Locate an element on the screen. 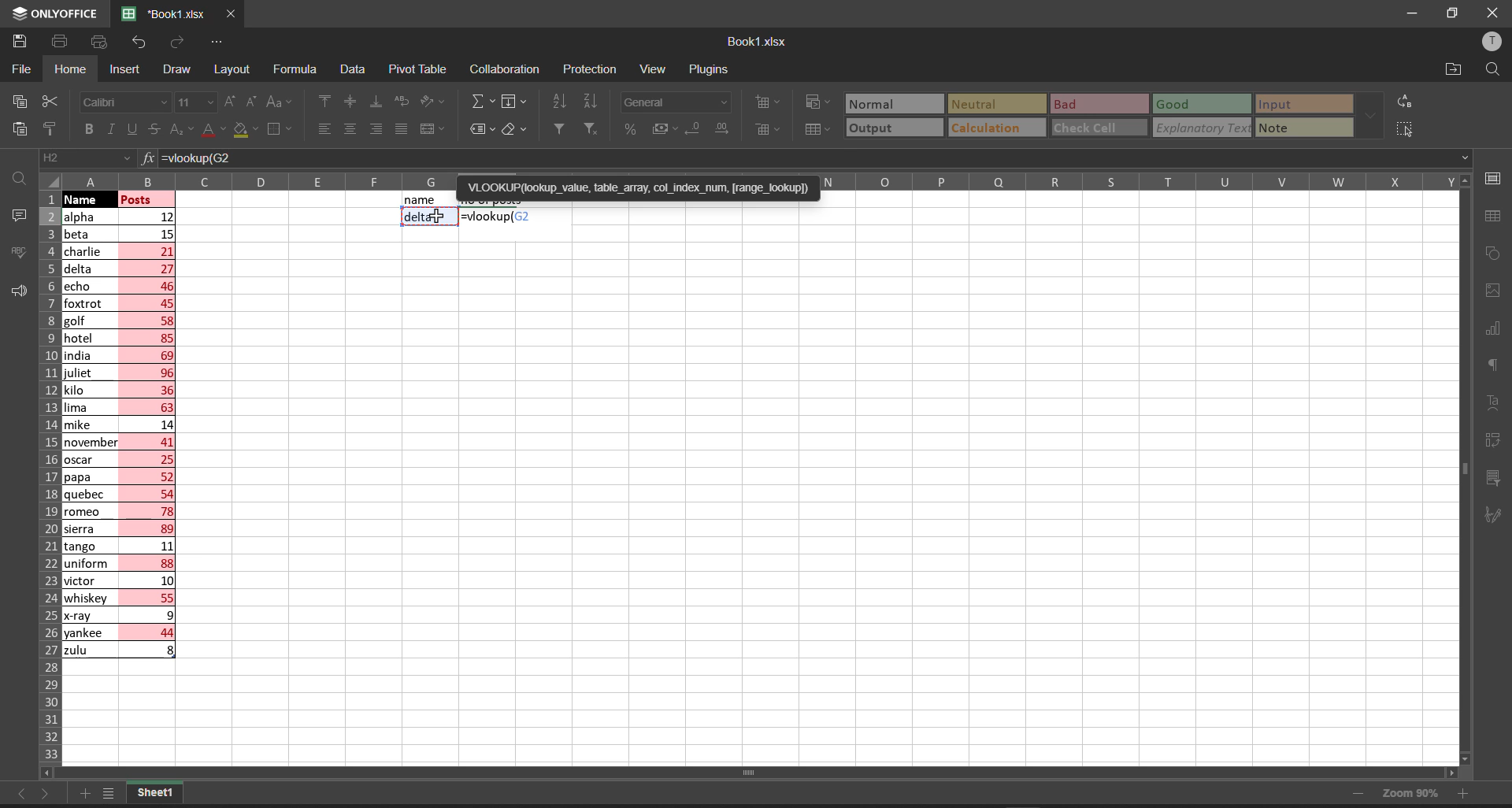 The width and height of the screenshot is (1512, 808). percent style is located at coordinates (628, 131).